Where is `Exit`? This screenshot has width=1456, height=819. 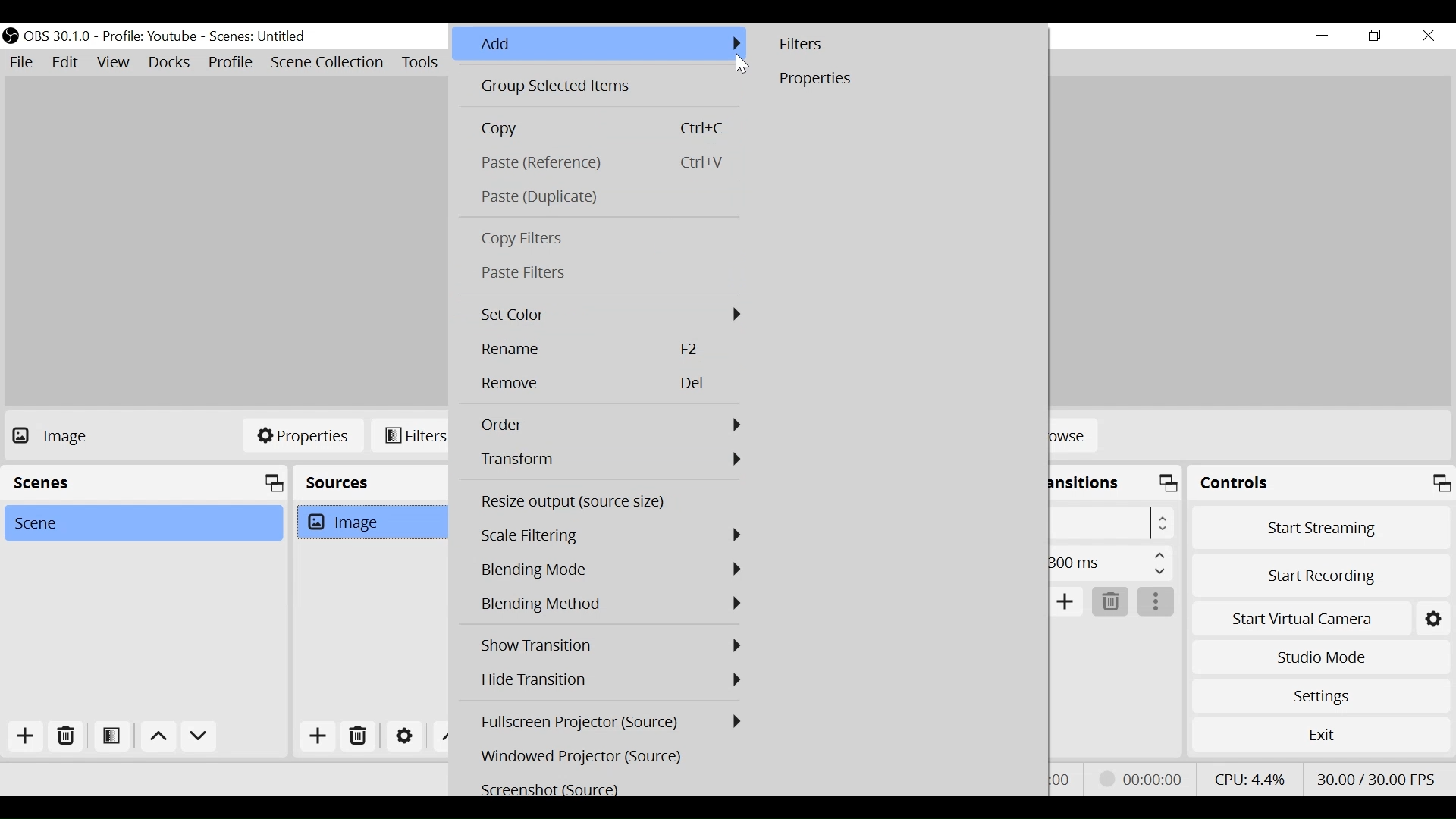
Exit is located at coordinates (1320, 733).